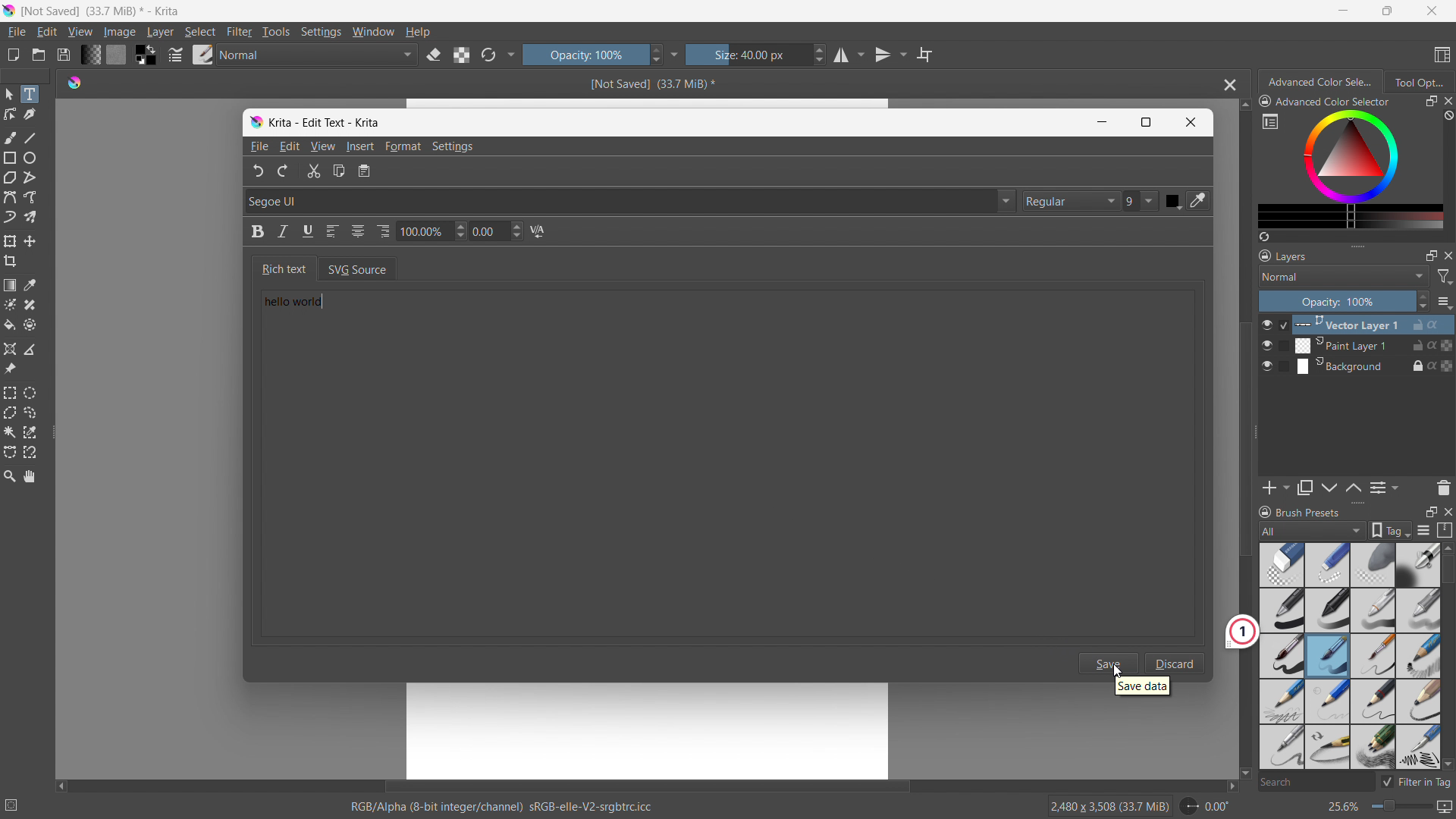 The image size is (1456, 819). Describe the element at coordinates (1142, 688) in the screenshot. I see `save data` at that location.